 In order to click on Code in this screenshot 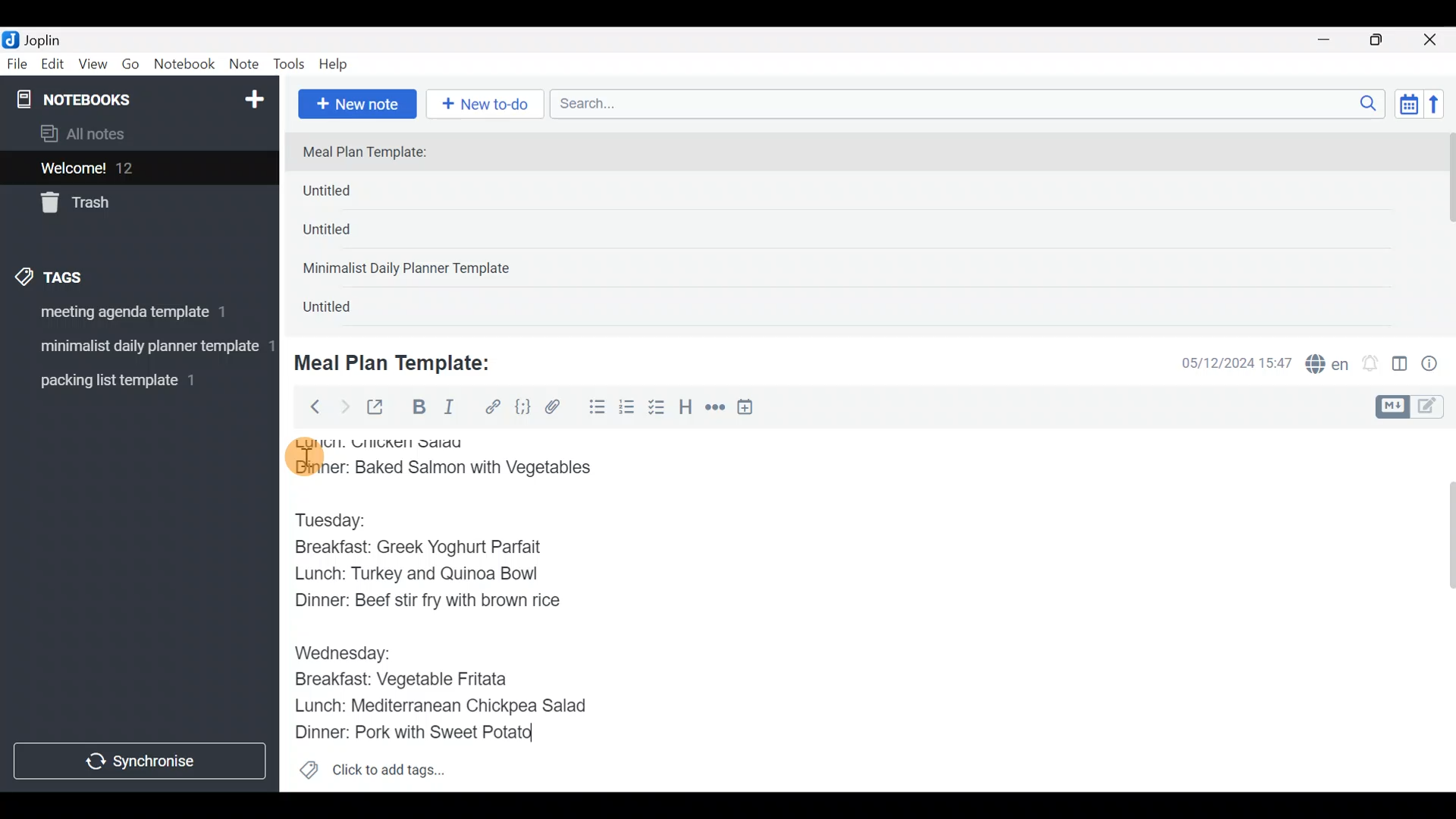, I will do `click(521, 406)`.